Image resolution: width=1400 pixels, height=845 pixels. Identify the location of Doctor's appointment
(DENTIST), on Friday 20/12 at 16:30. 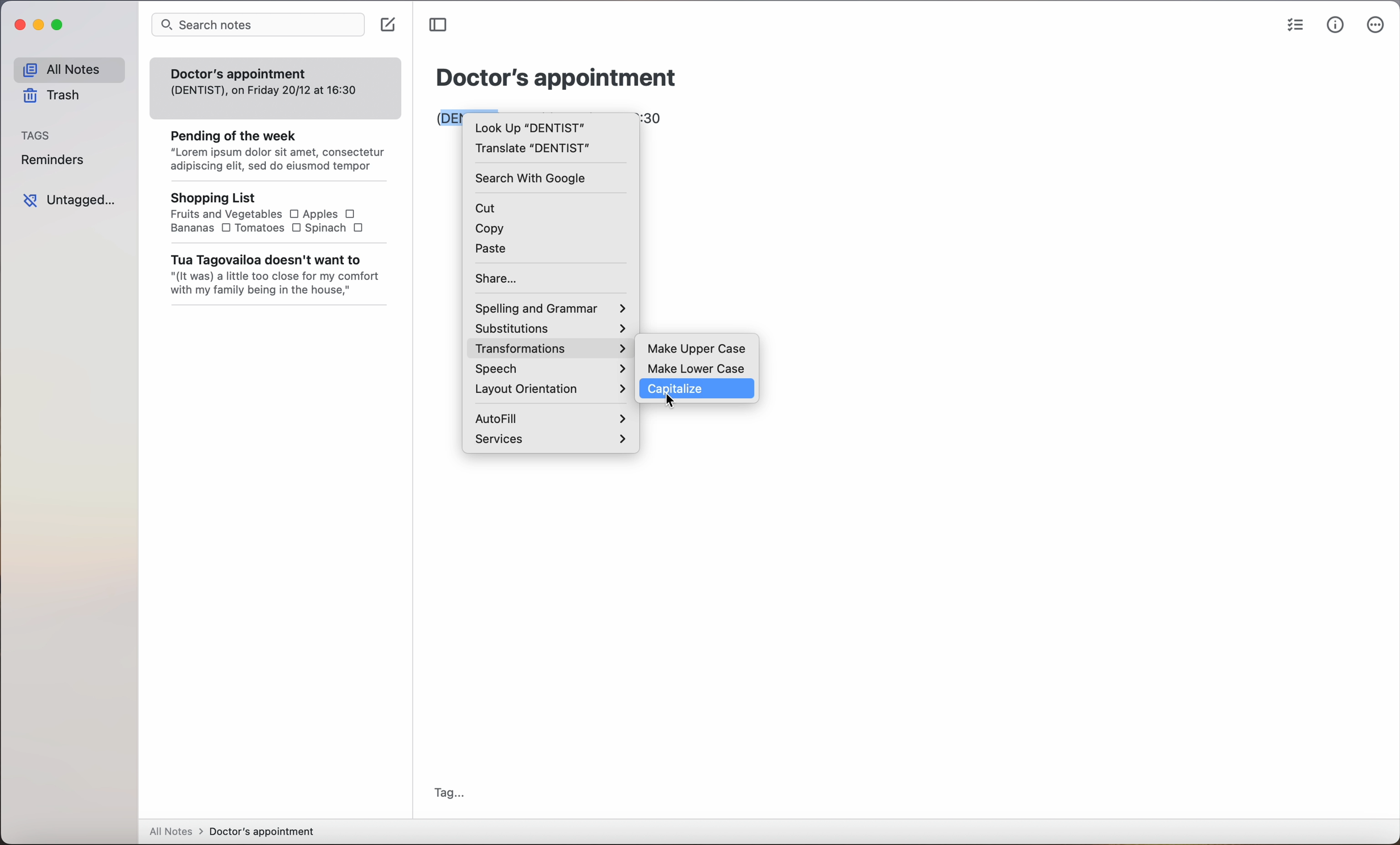
(264, 80).